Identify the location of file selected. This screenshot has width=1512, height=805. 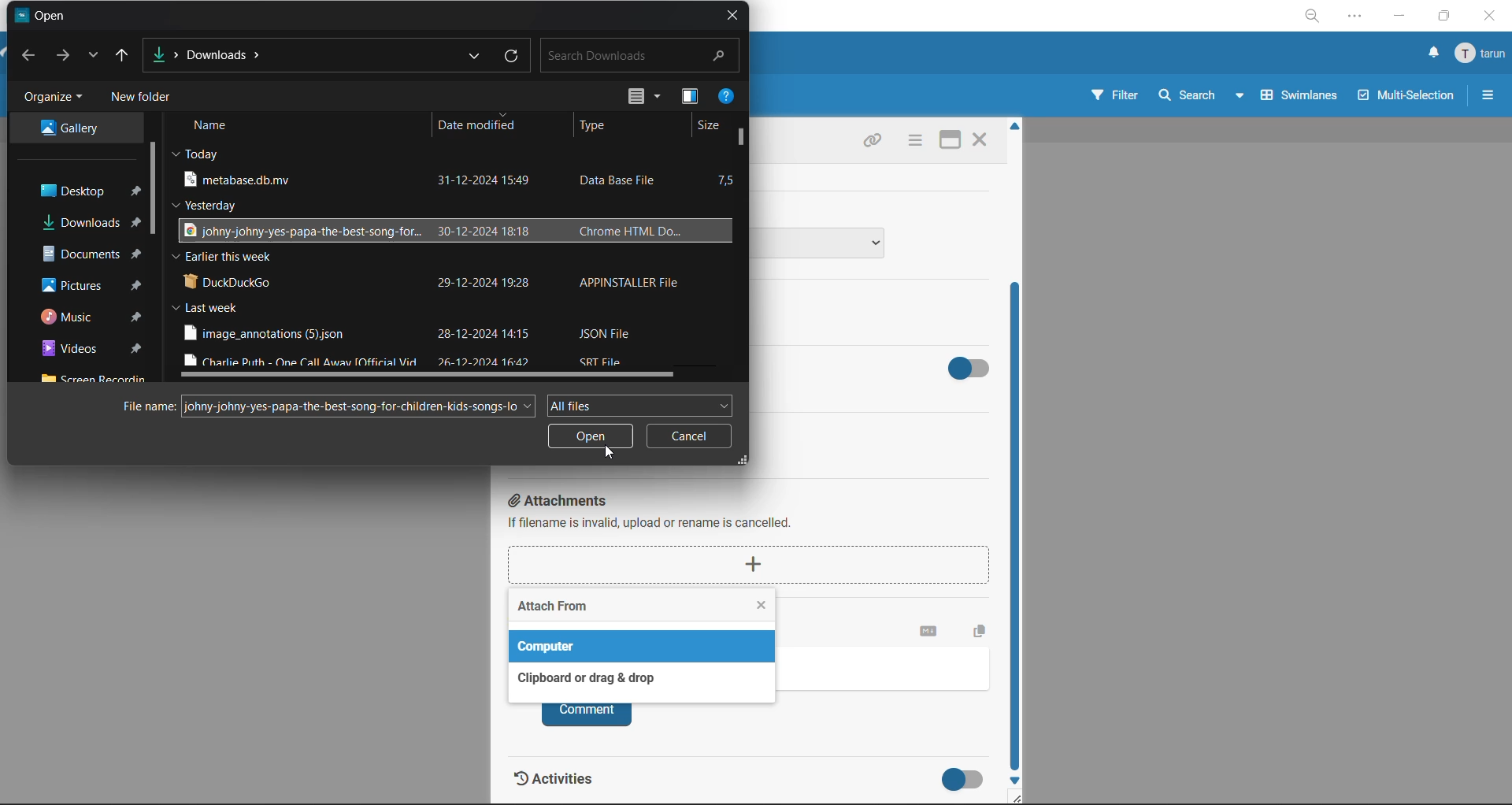
(358, 406).